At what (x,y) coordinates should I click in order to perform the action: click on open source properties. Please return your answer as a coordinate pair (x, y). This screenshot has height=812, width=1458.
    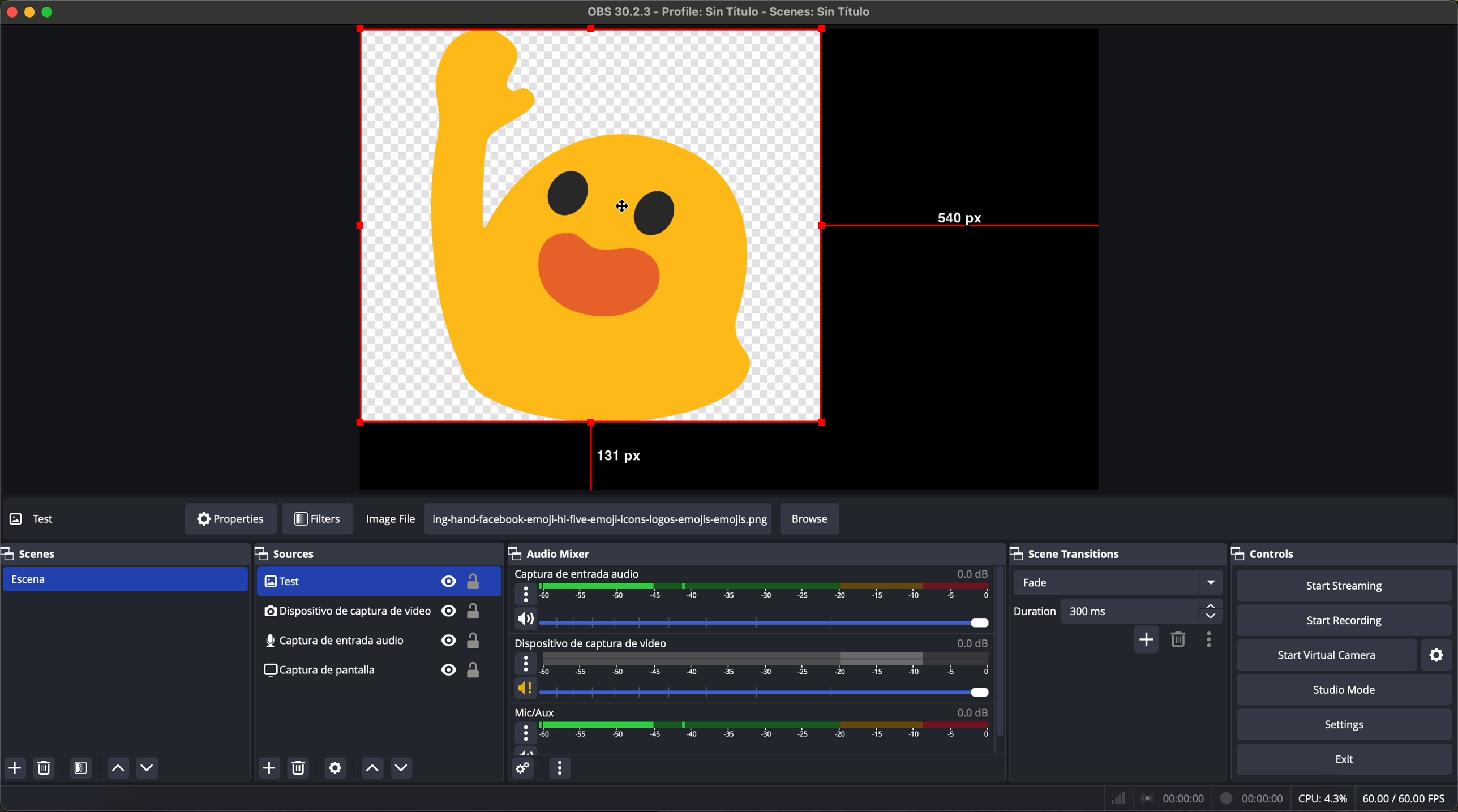
    Looking at the image, I should click on (335, 768).